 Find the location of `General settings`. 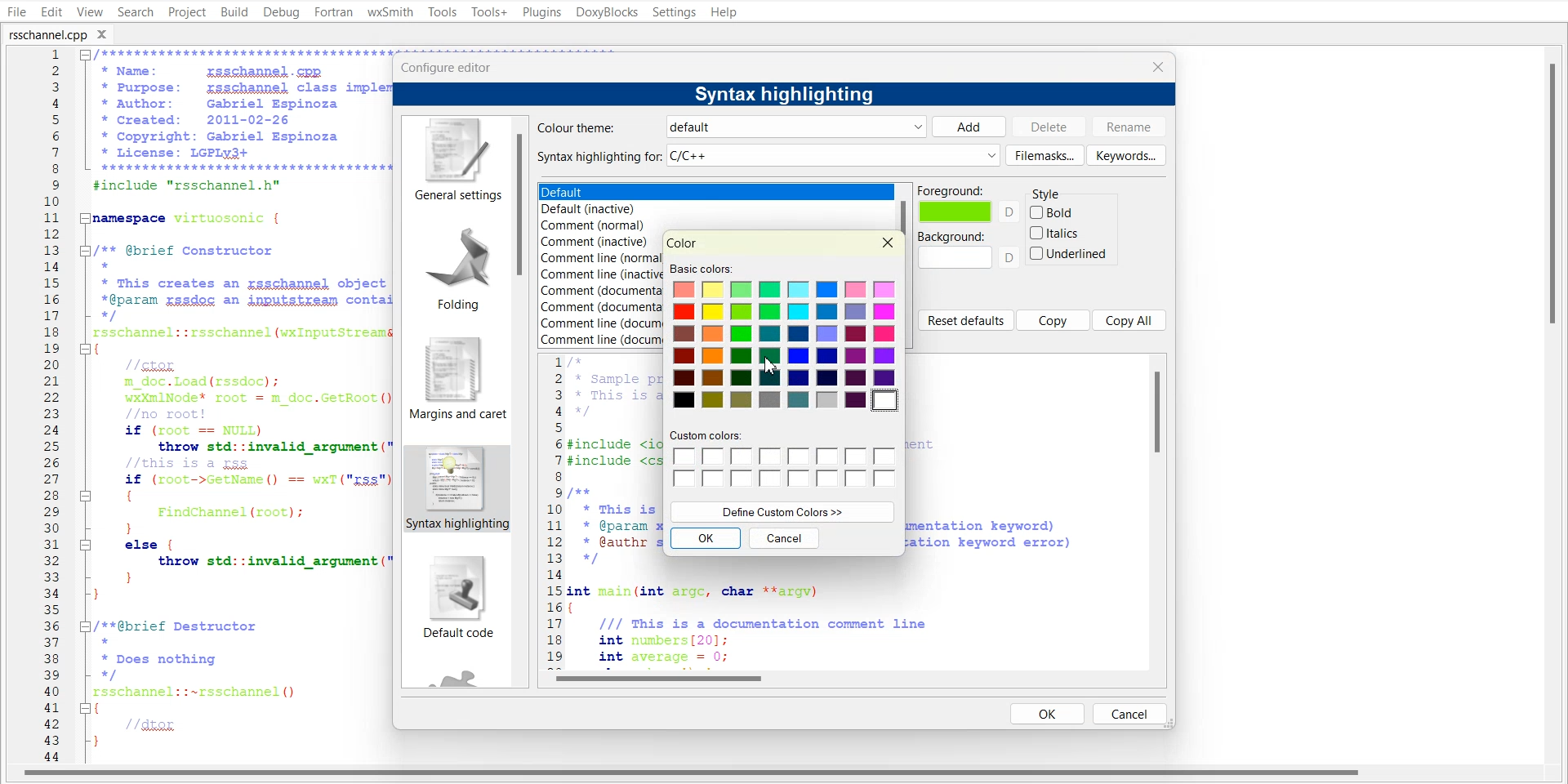

General settings is located at coordinates (455, 160).